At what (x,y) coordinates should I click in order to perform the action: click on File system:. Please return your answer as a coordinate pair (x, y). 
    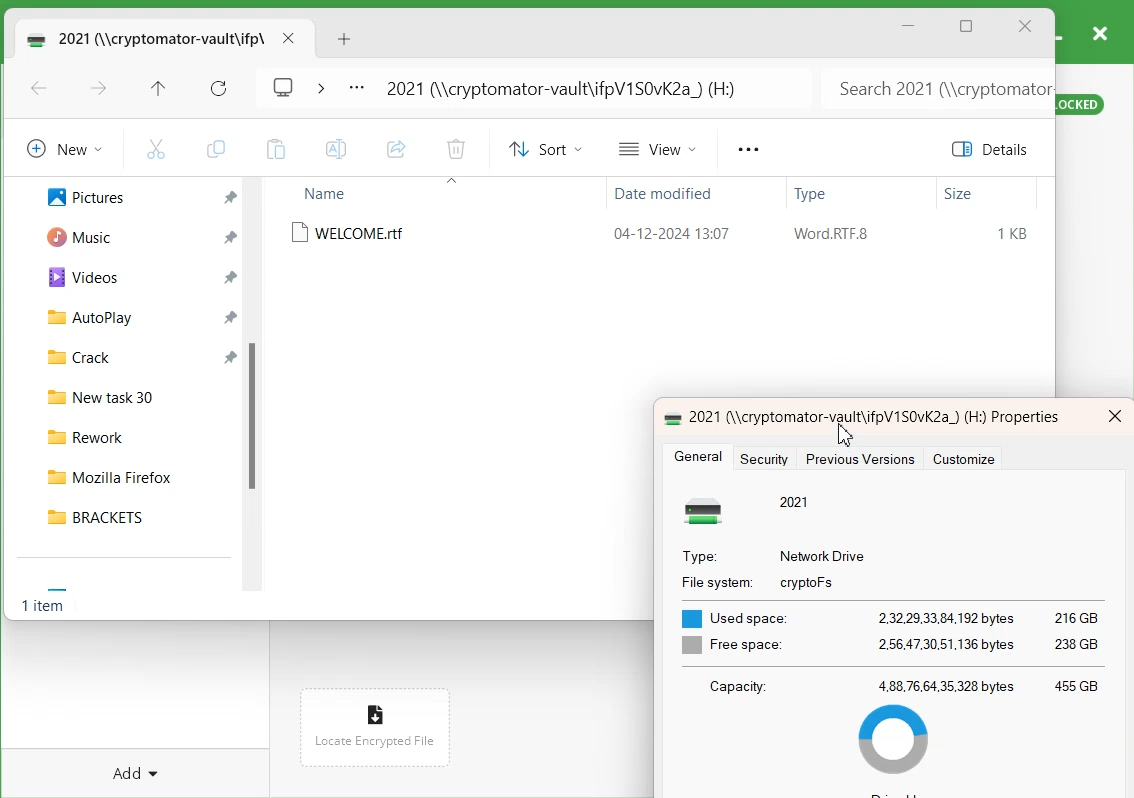
    Looking at the image, I should click on (714, 583).